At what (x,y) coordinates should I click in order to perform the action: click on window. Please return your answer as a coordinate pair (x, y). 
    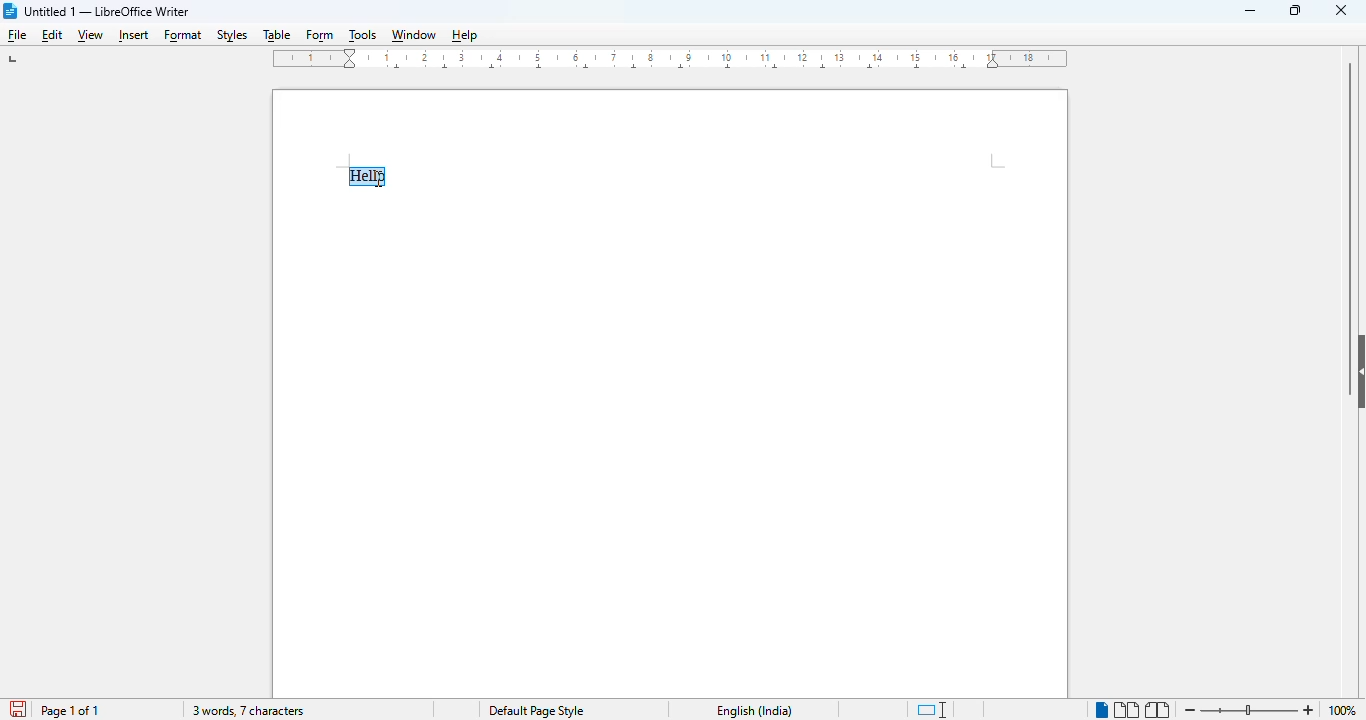
    Looking at the image, I should click on (413, 35).